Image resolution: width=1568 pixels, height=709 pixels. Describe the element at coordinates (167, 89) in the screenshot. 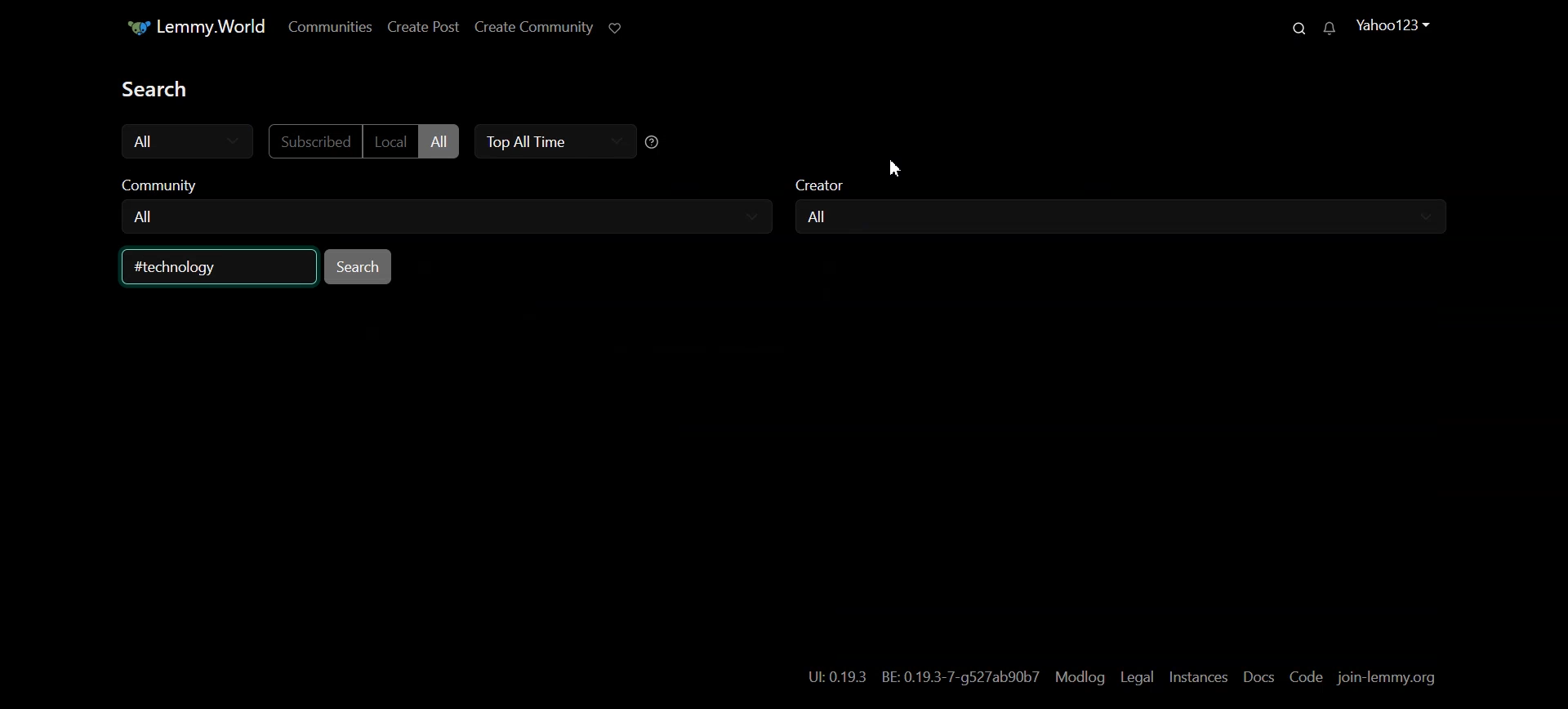

I see `Text` at that location.